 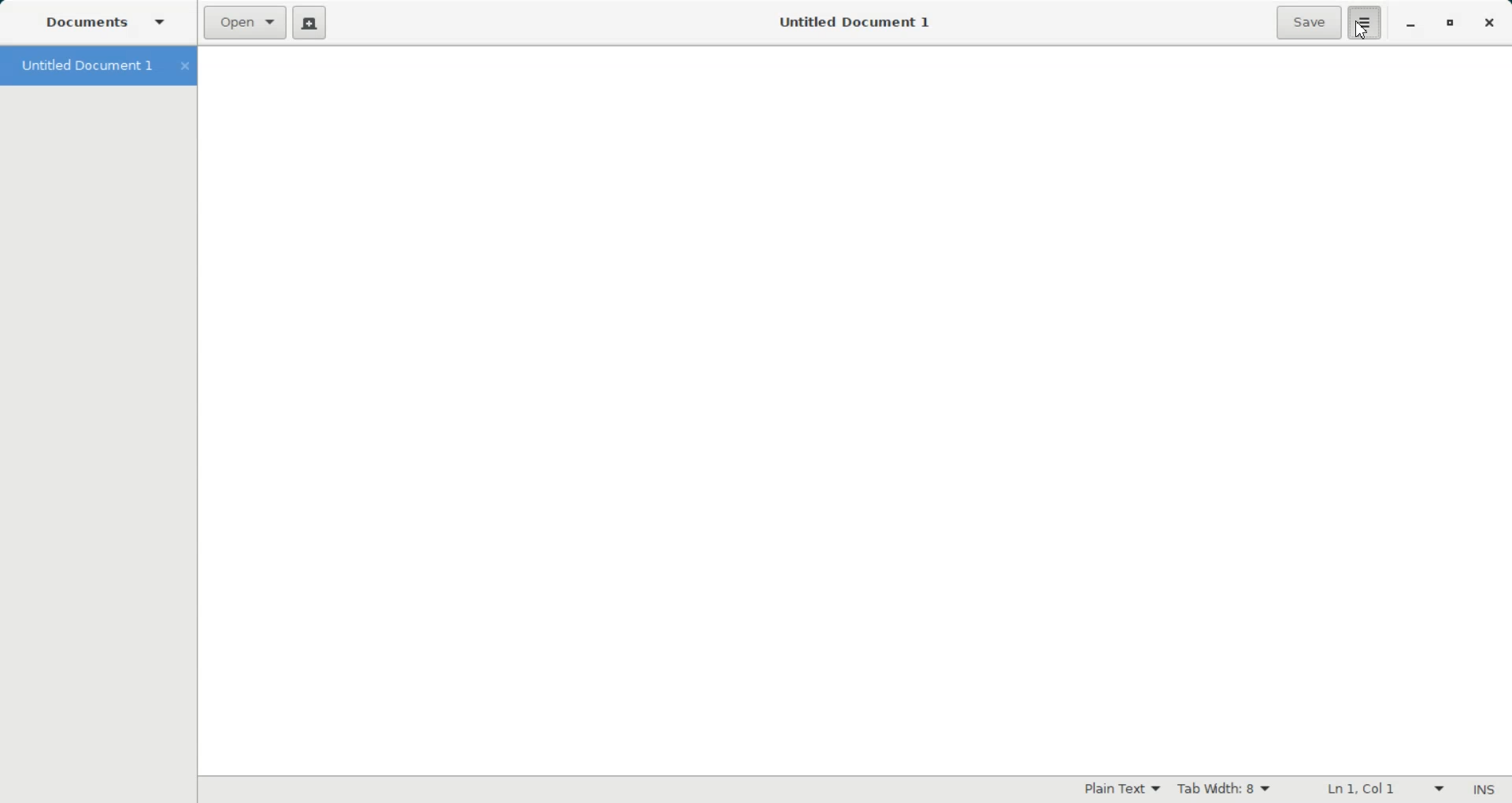 What do you see at coordinates (1358, 32) in the screenshot?
I see `Cursor` at bounding box center [1358, 32].